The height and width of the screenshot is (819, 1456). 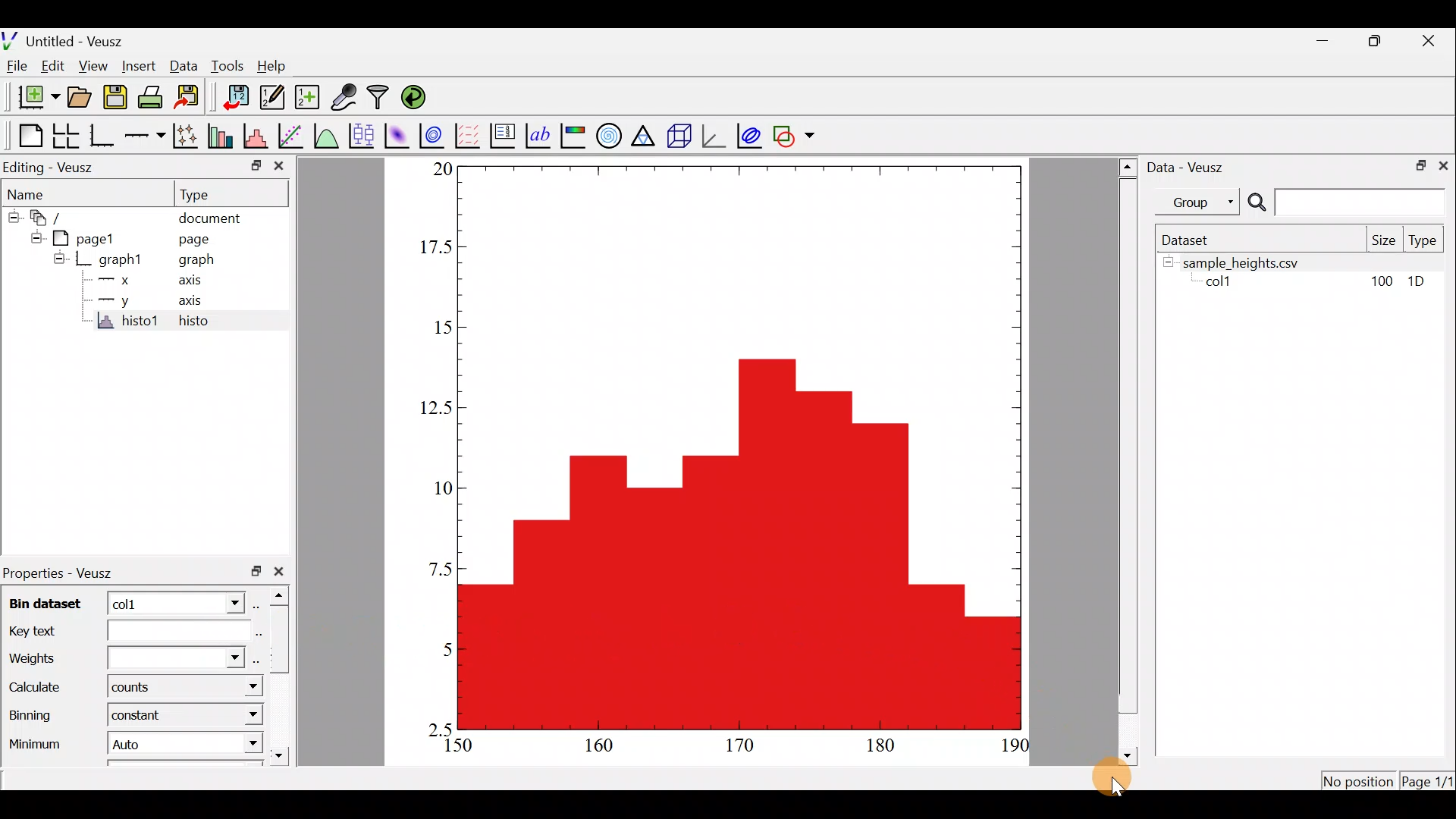 I want to click on Key text, so click(x=115, y=629).